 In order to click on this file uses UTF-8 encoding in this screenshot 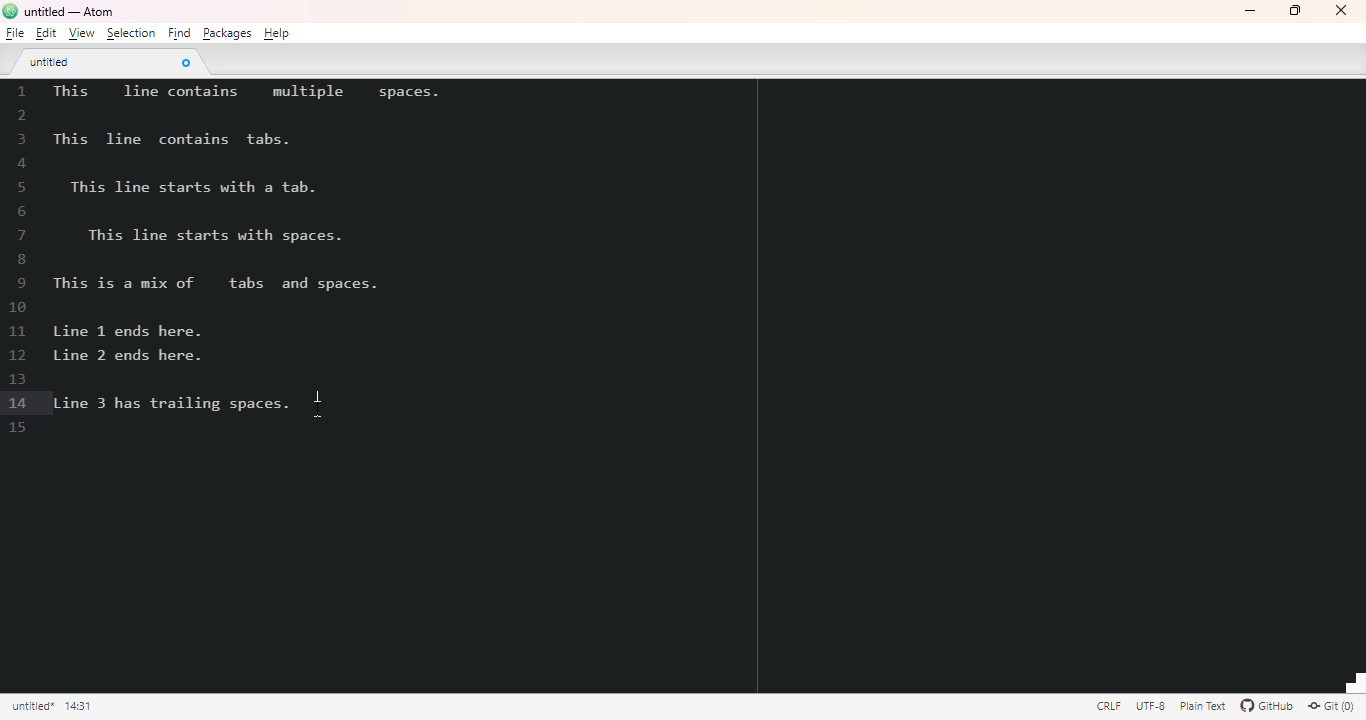, I will do `click(1151, 706)`.